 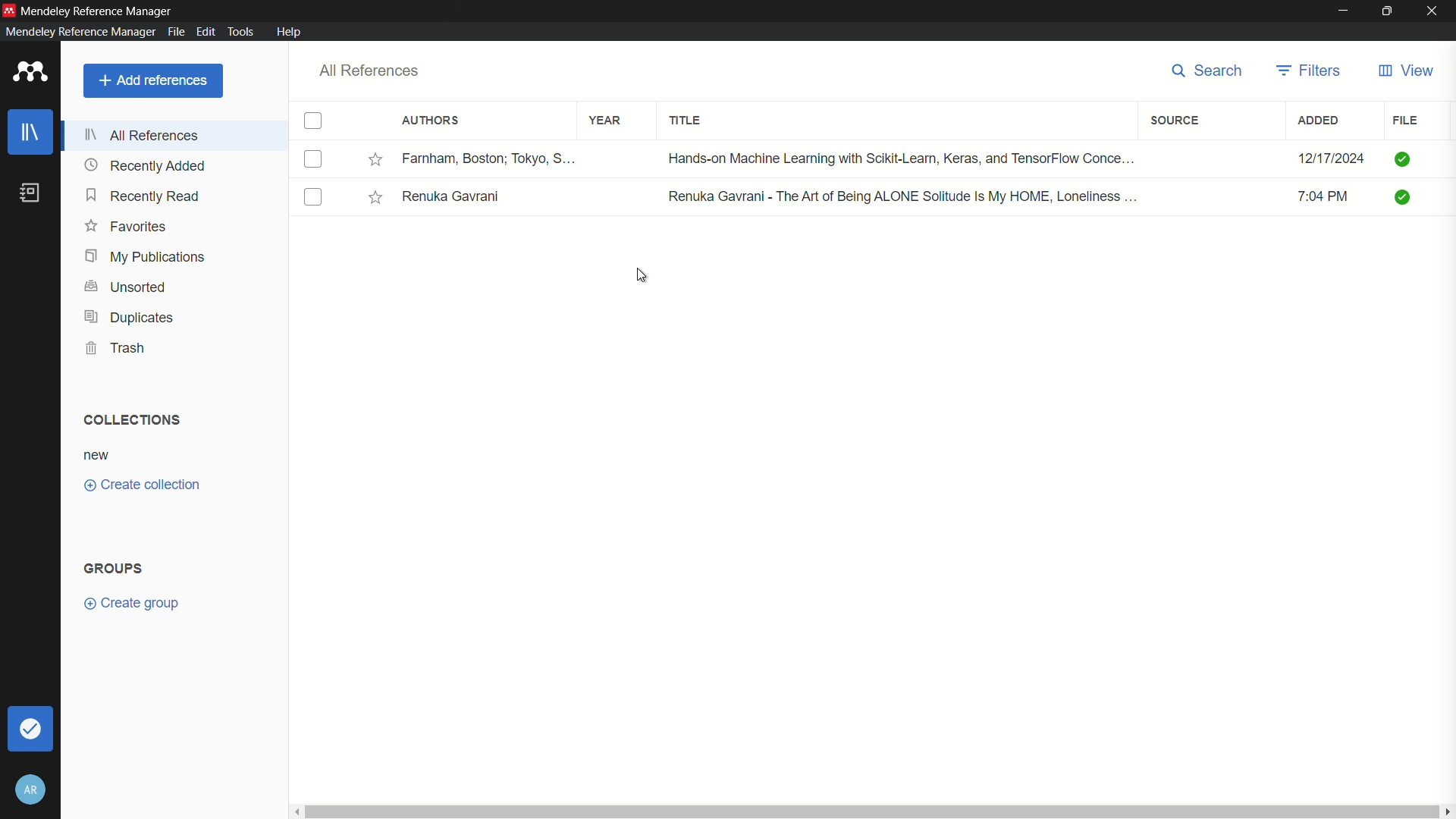 I want to click on tools menu, so click(x=240, y=30).